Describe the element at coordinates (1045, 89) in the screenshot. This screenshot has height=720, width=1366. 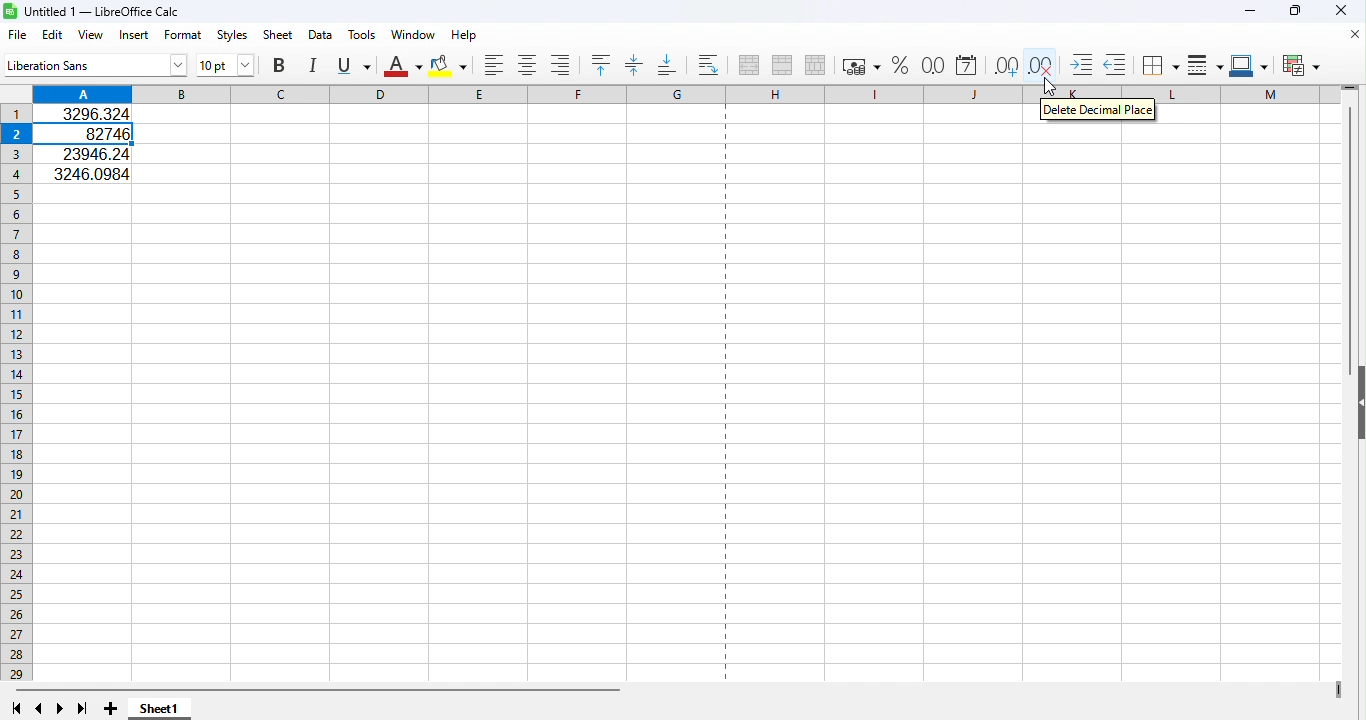
I see `Cursor` at that location.